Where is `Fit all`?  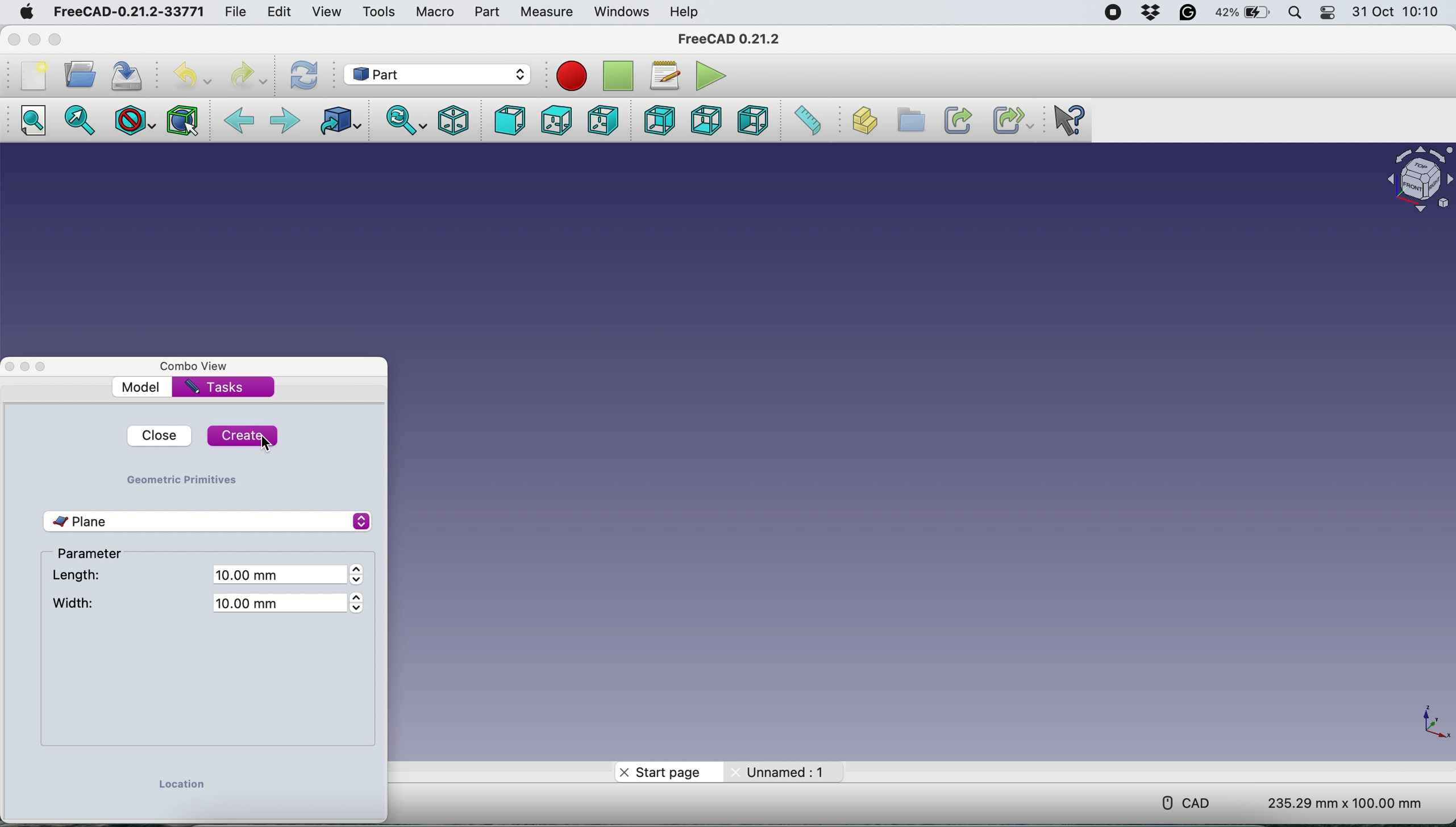
Fit all is located at coordinates (32, 118).